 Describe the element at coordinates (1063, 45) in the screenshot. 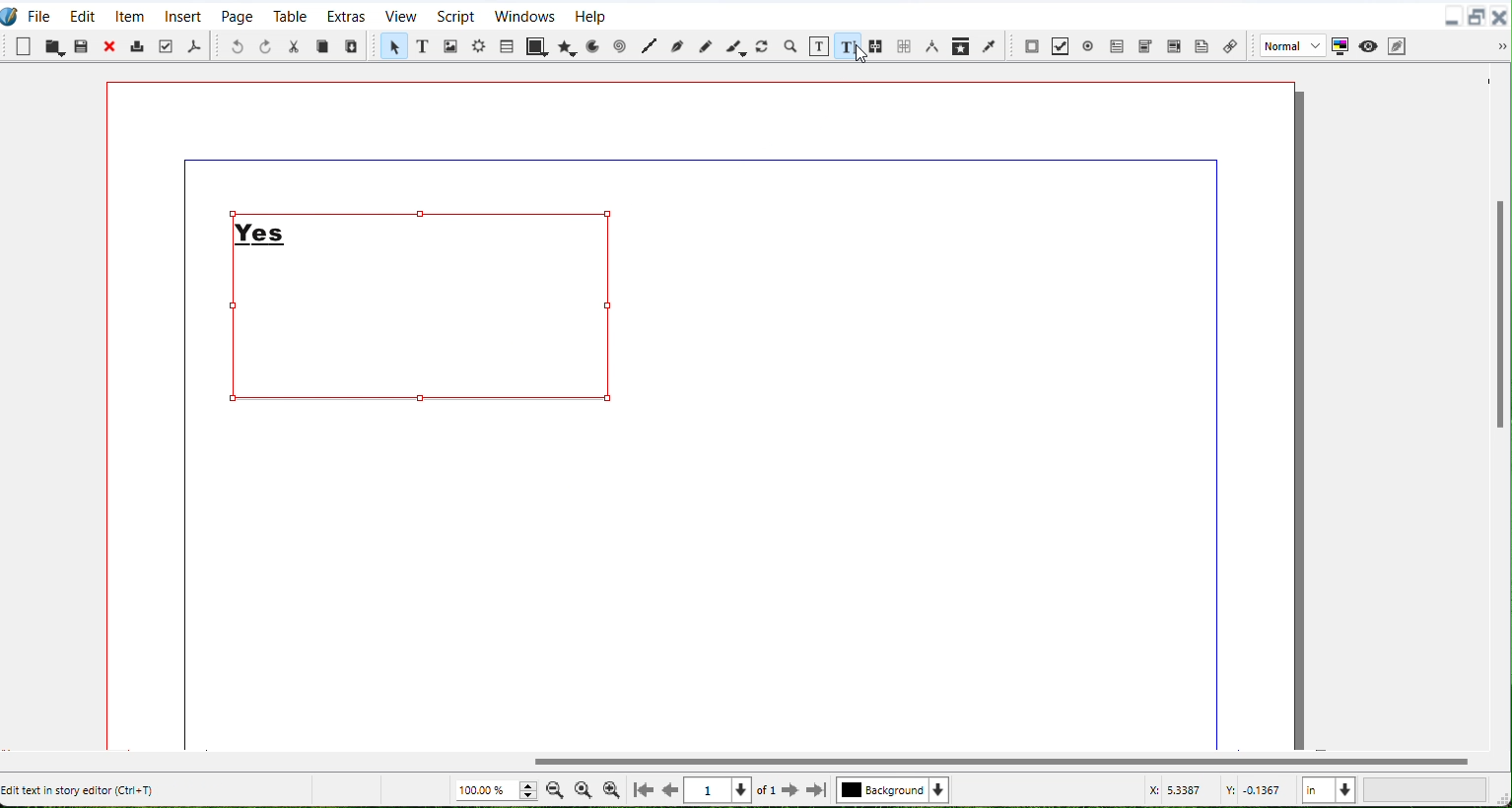

I see `PDF Check Button` at that location.